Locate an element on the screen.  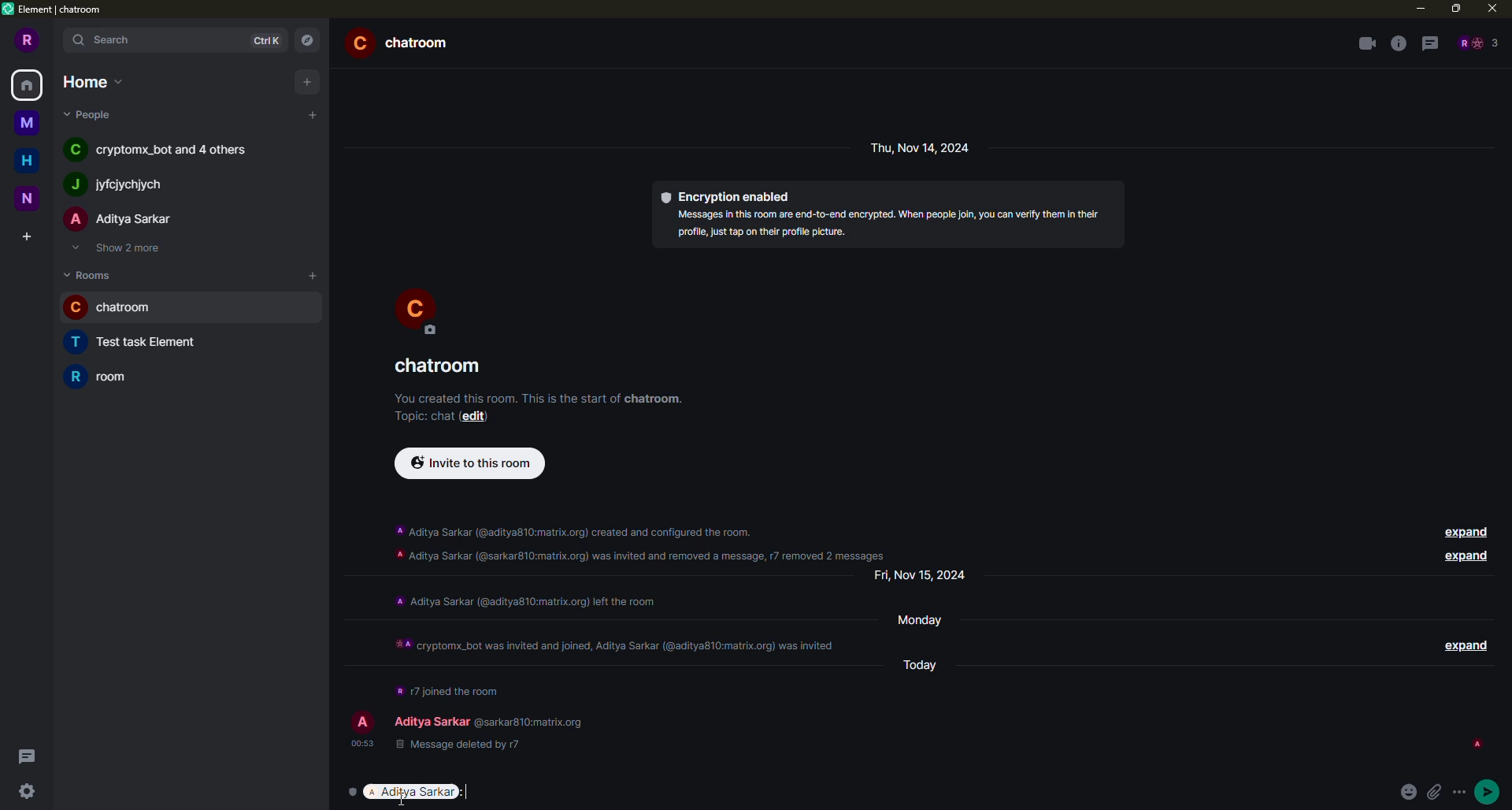
video call is located at coordinates (1366, 43).